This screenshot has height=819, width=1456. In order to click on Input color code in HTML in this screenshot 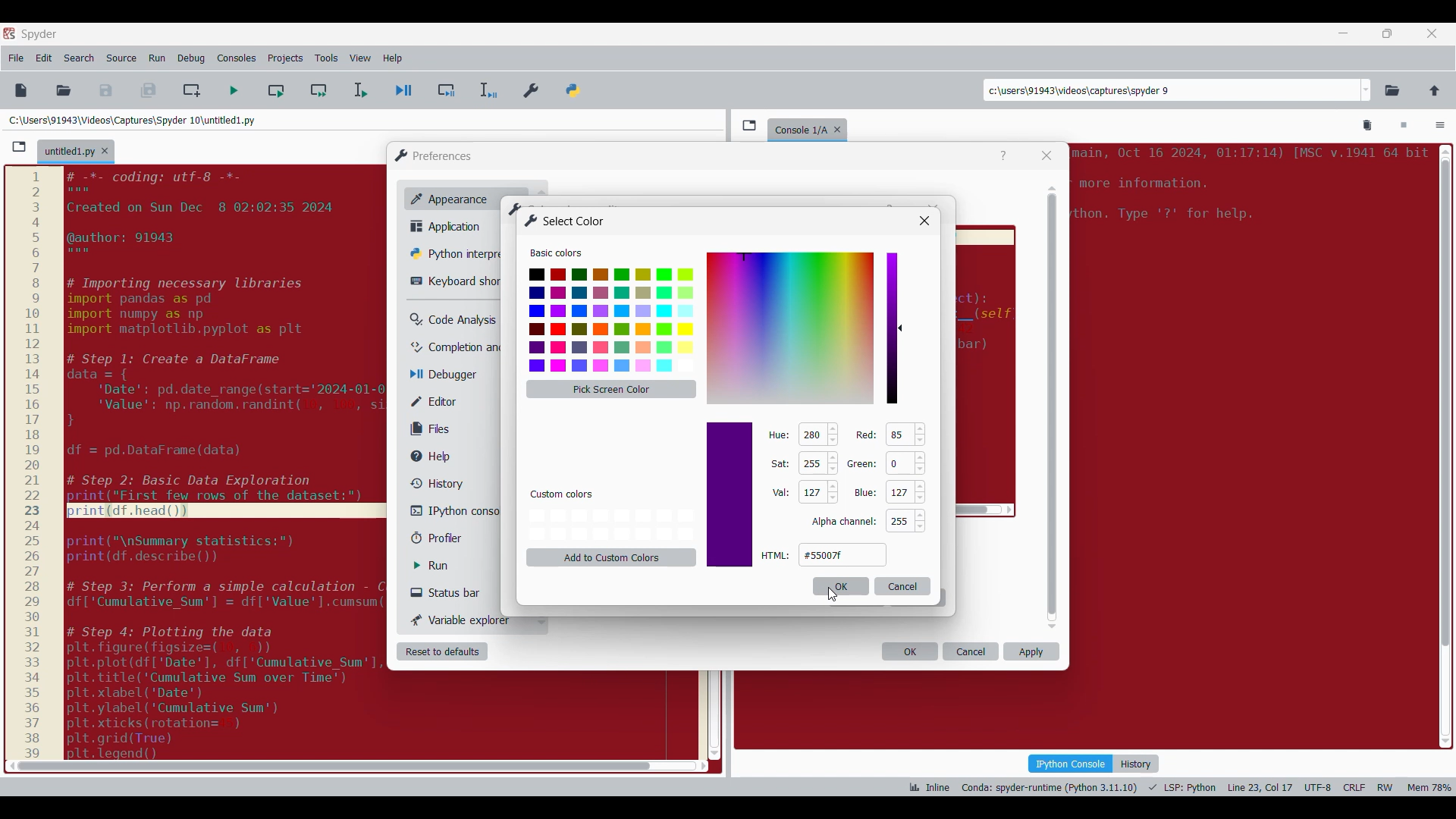, I will do `click(843, 554)`.